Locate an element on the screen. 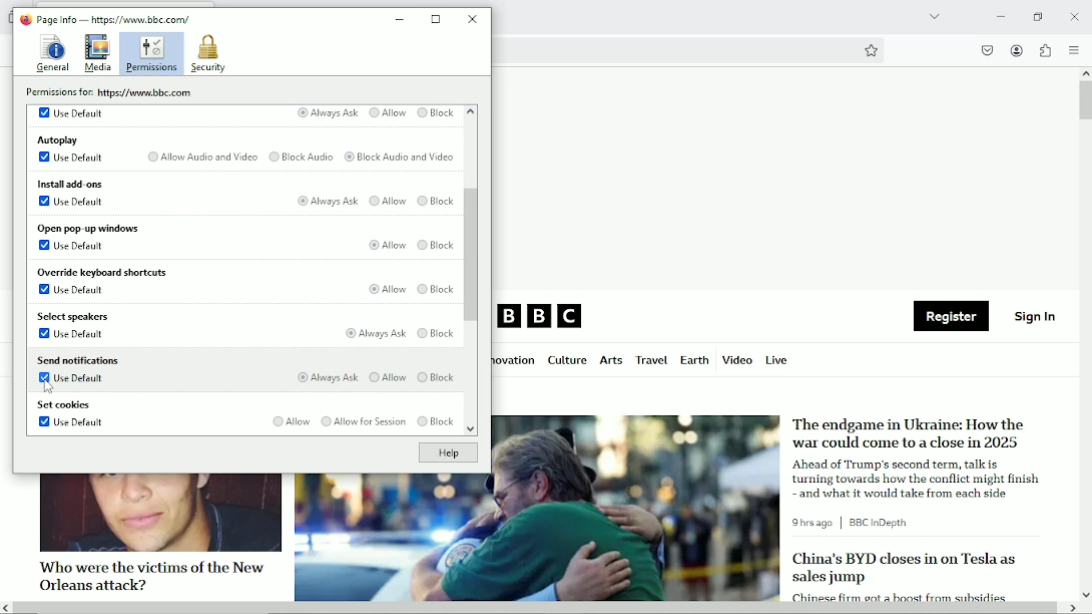  Use default is located at coordinates (71, 158).